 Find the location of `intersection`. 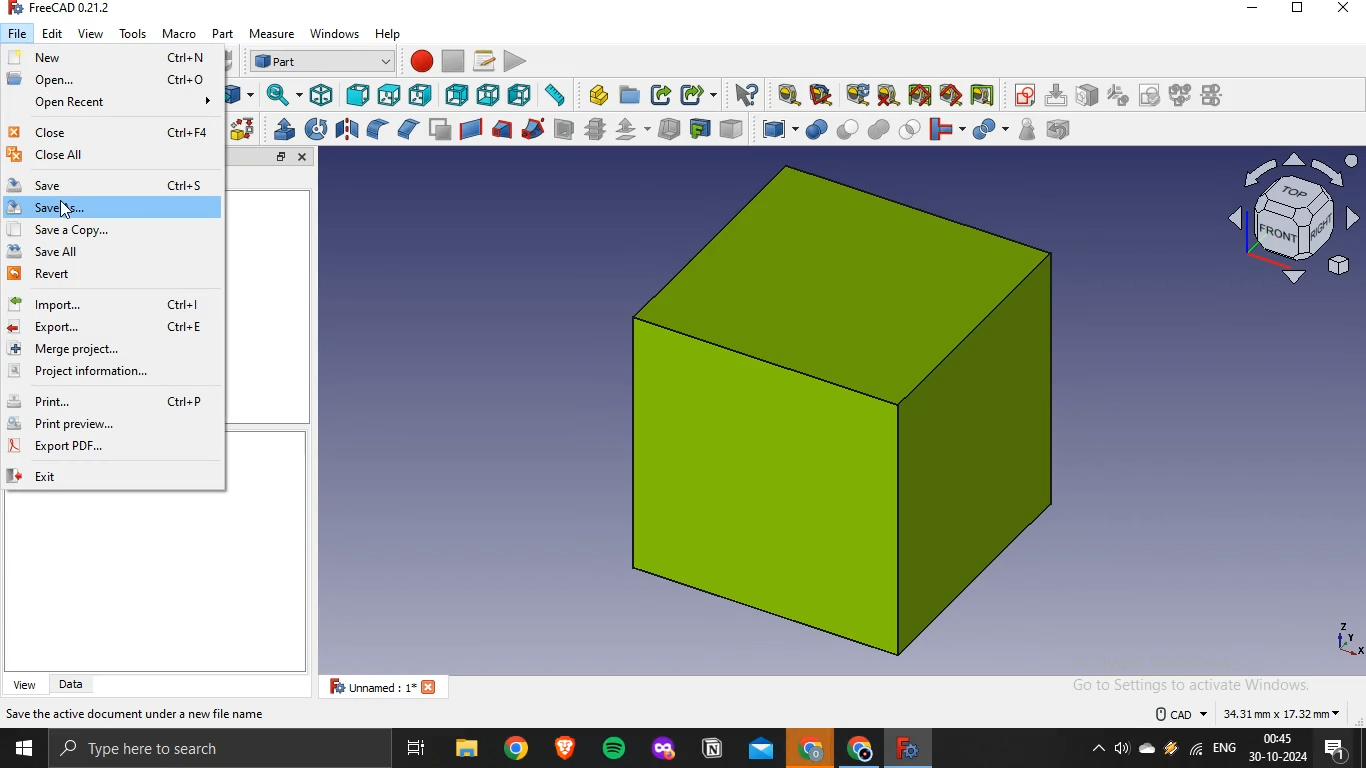

intersection is located at coordinates (908, 129).